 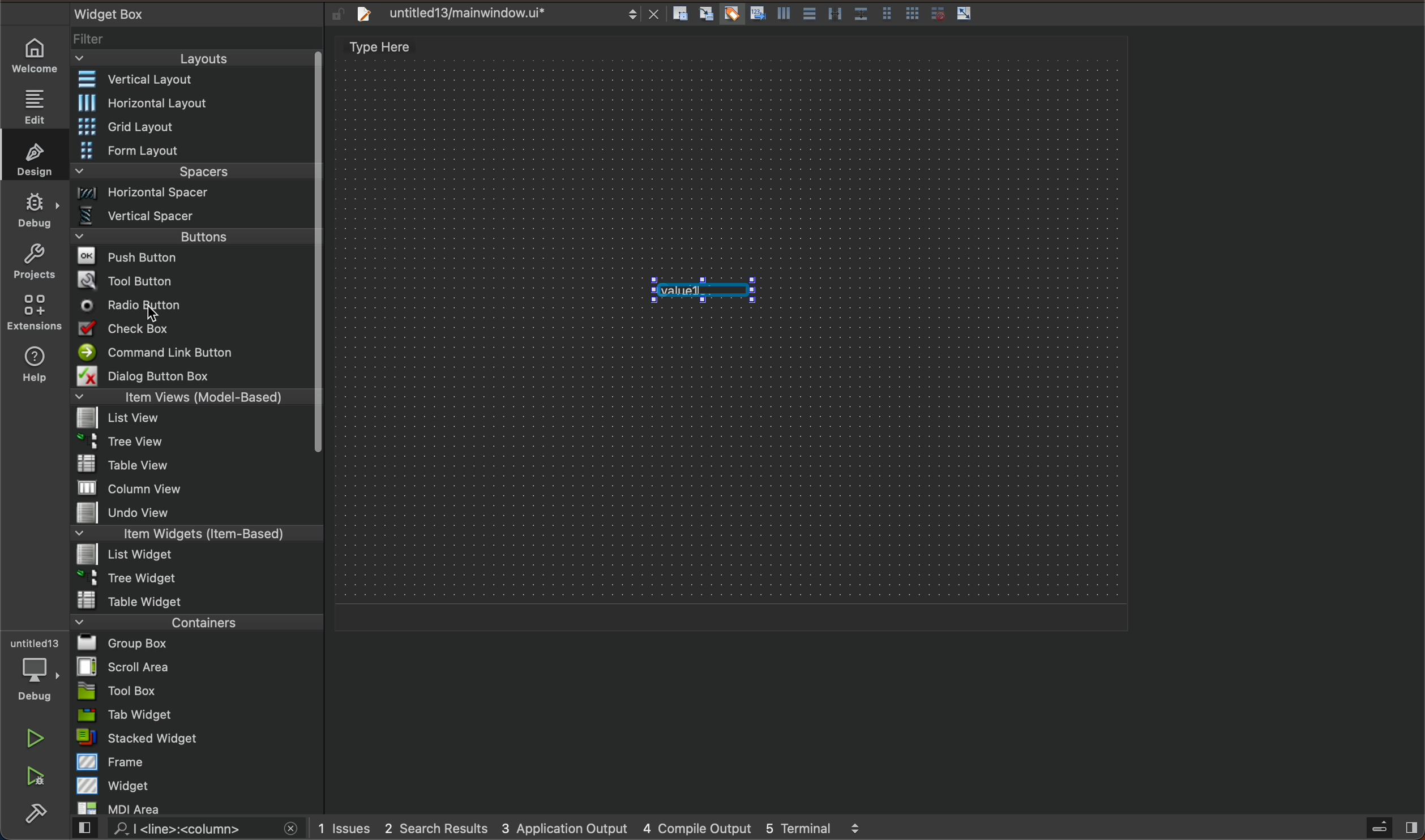 I want to click on tab, so click(x=199, y=714).